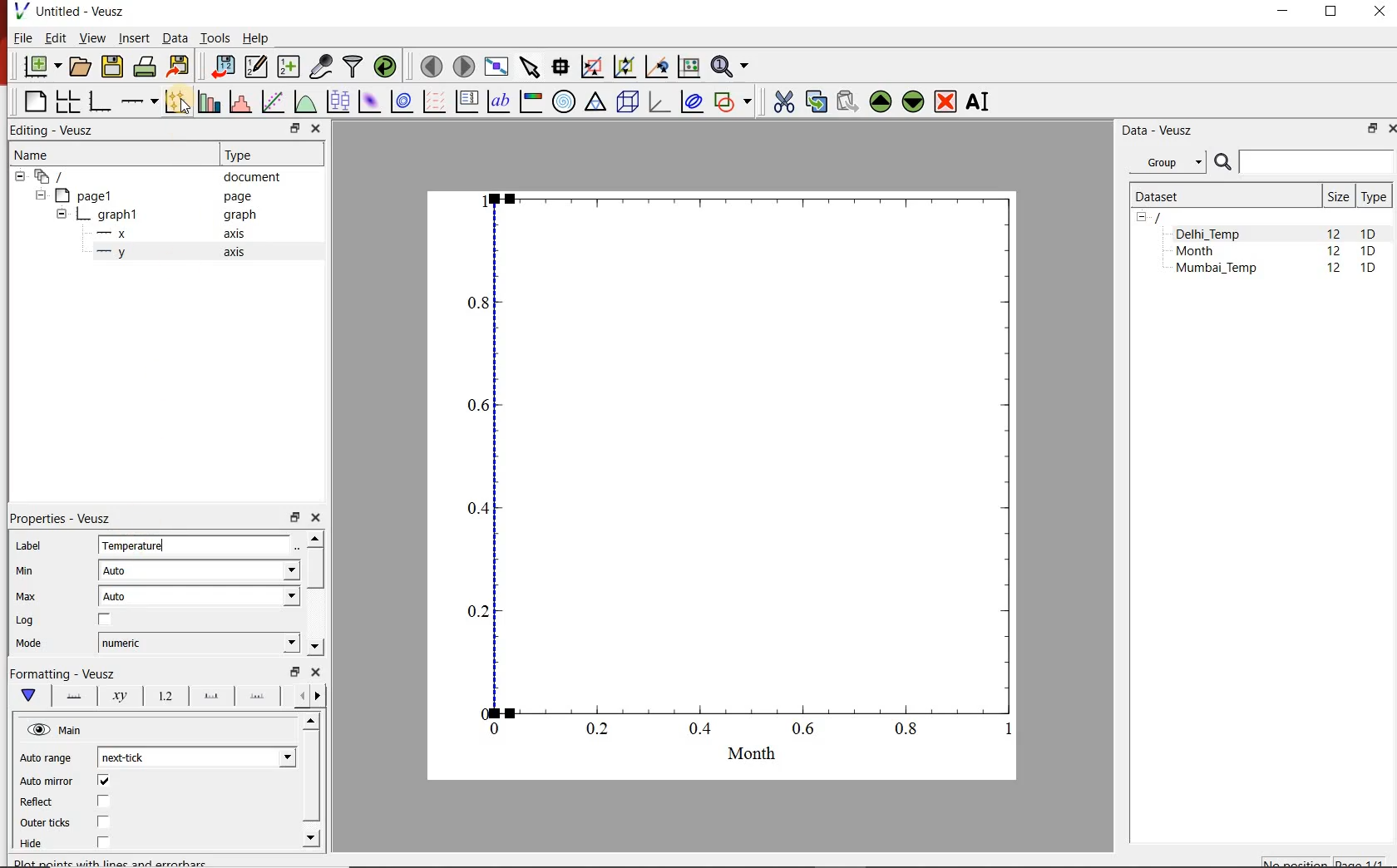 The height and width of the screenshot is (868, 1397). What do you see at coordinates (105, 620) in the screenshot?
I see `check/uncheck` at bounding box center [105, 620].